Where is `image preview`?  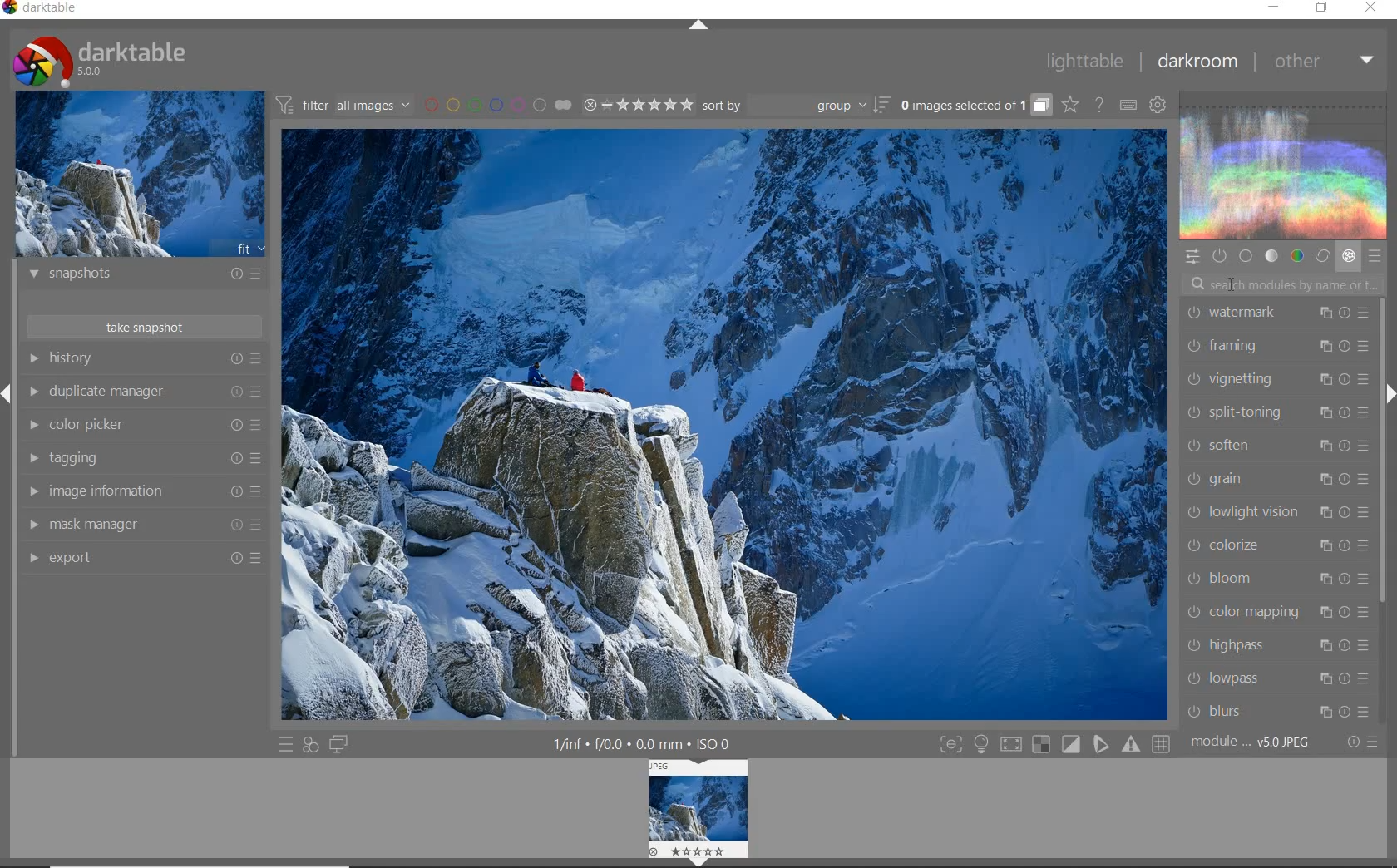
image preview is located at coordinates (699, 811).